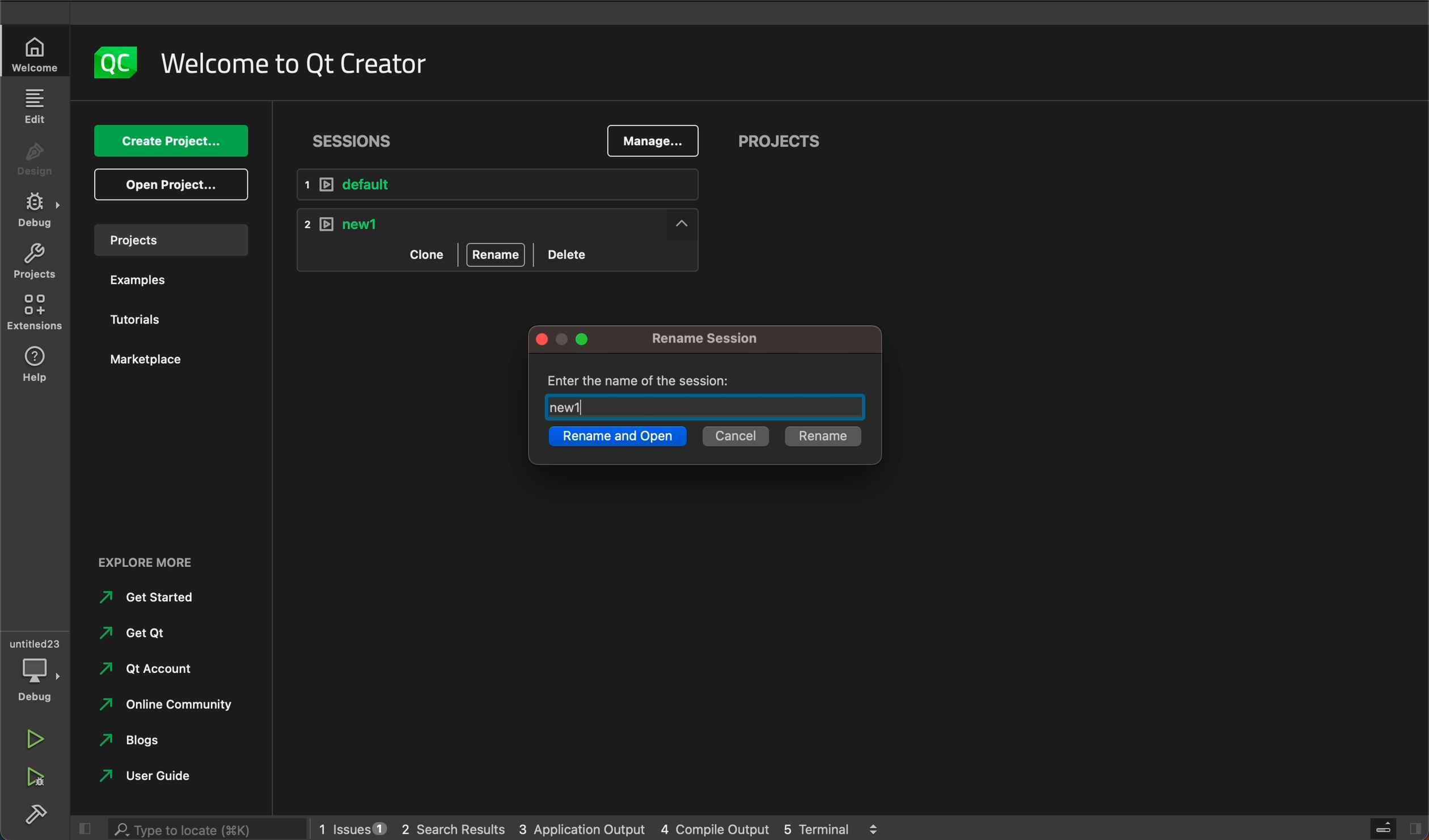 This screenshot has height=840, width=1429. What do you see at coordinates (507, 185) in the screenshot?
I see `DEFAULT` at bounding box center [507, 185].